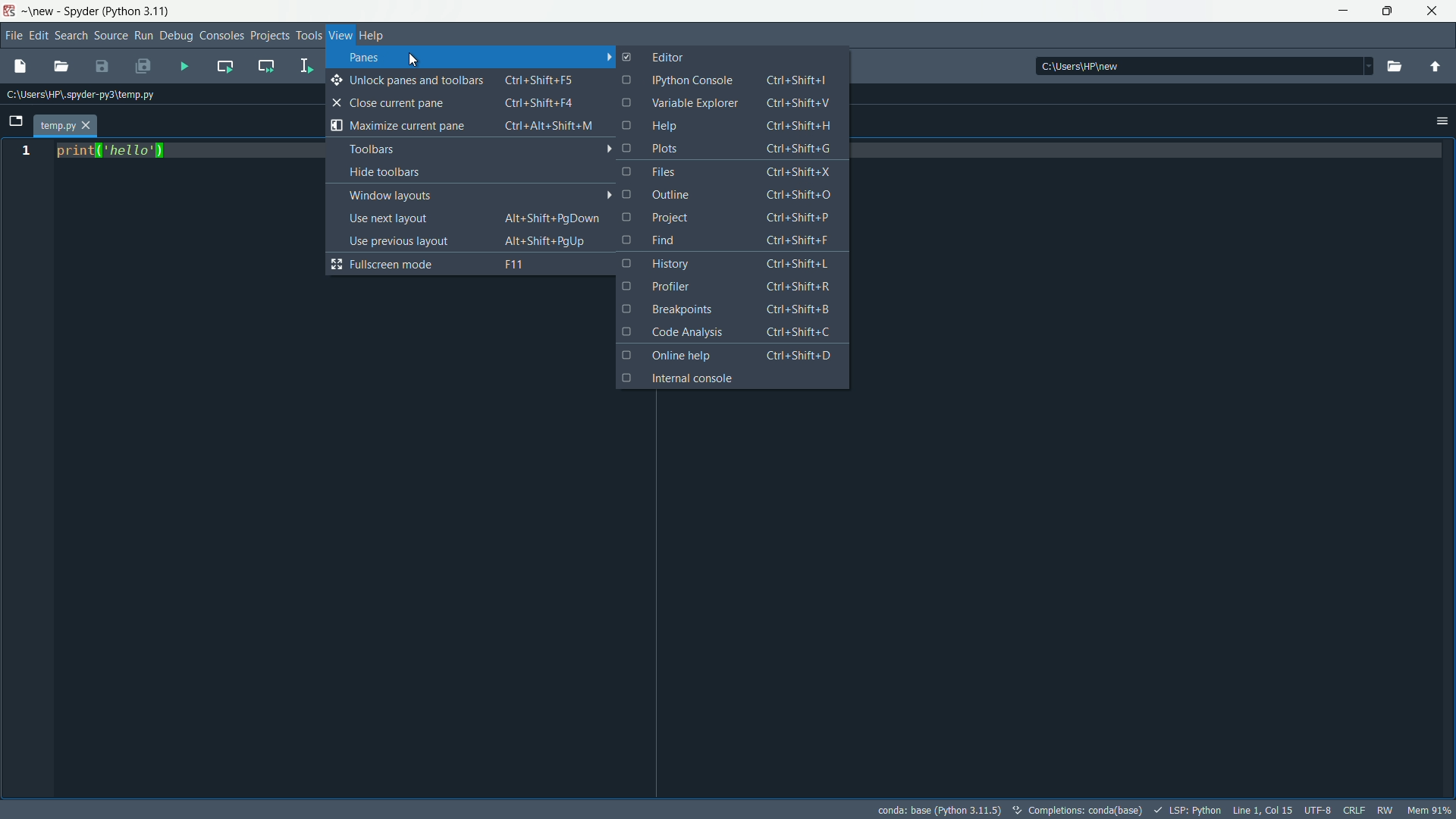 This screenshot has width=1456, height=819. I want to click on history, so click(730, 264).